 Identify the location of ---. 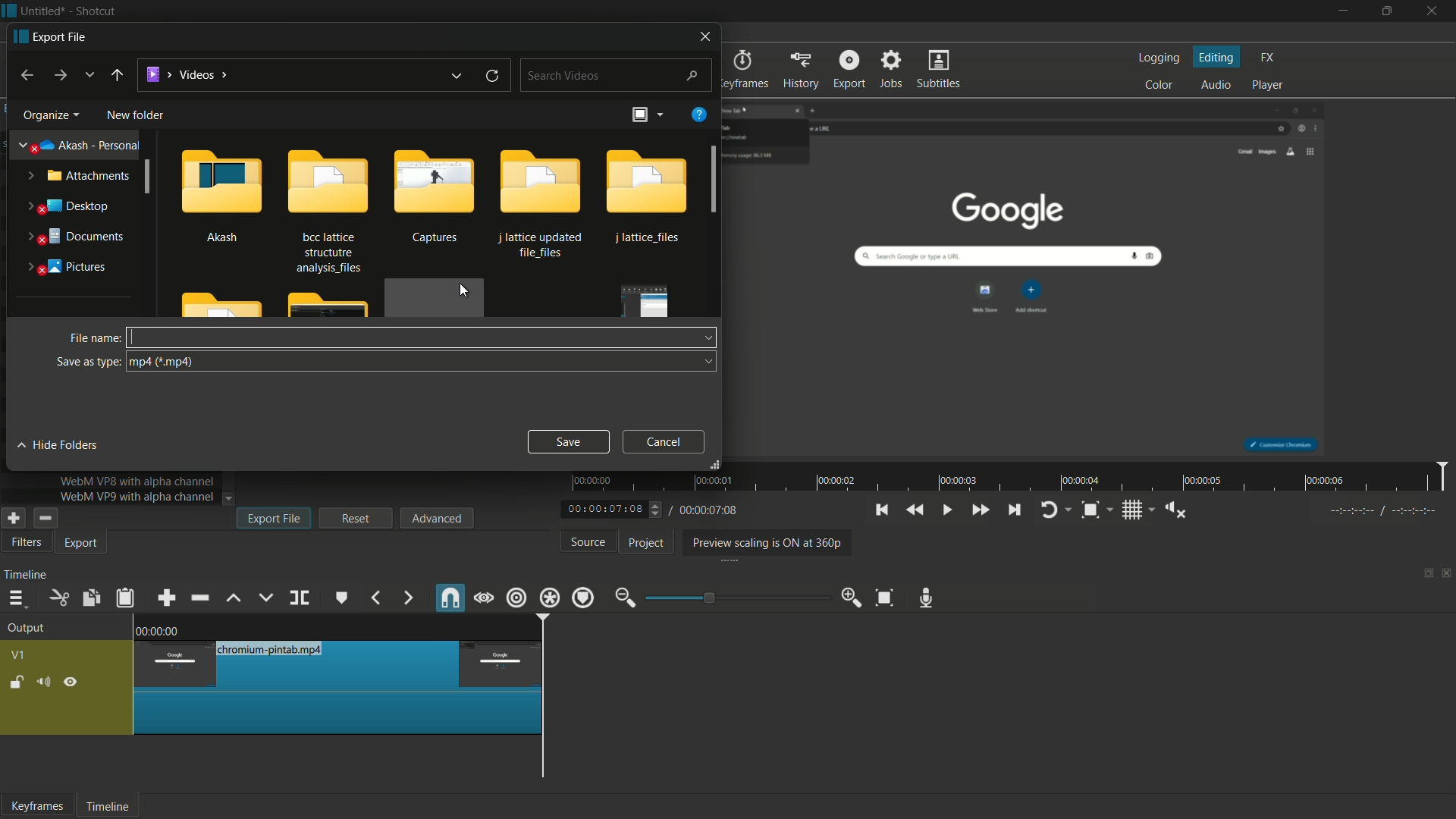
(1382, 510).